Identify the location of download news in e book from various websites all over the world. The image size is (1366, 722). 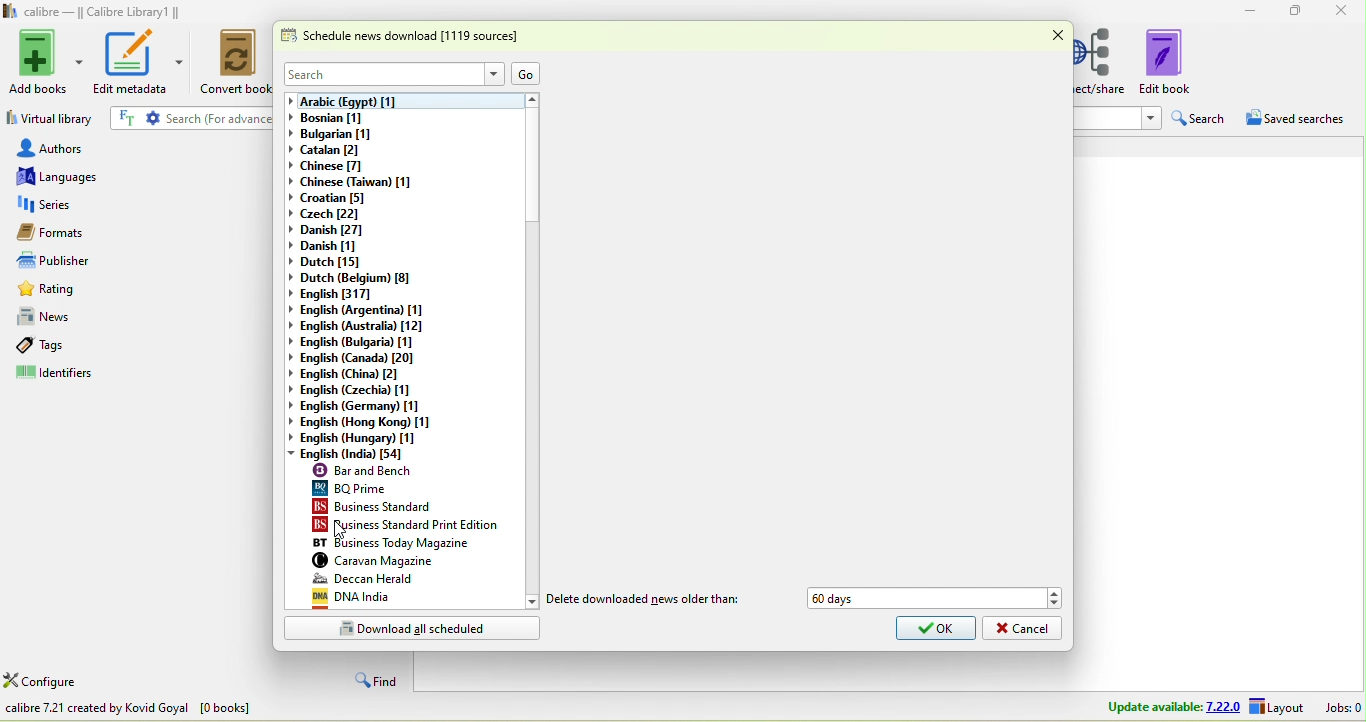
(201, 709).